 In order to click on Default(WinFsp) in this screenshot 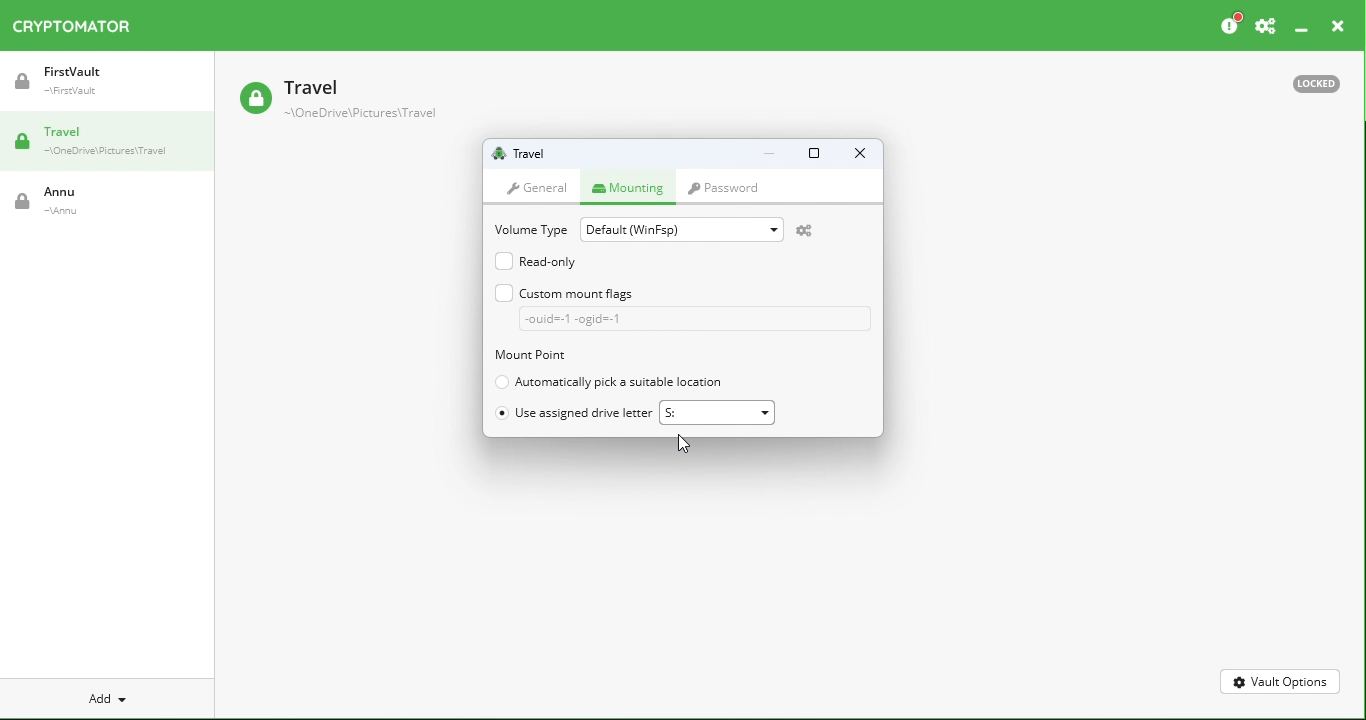, I will do `click(684, 228)`.